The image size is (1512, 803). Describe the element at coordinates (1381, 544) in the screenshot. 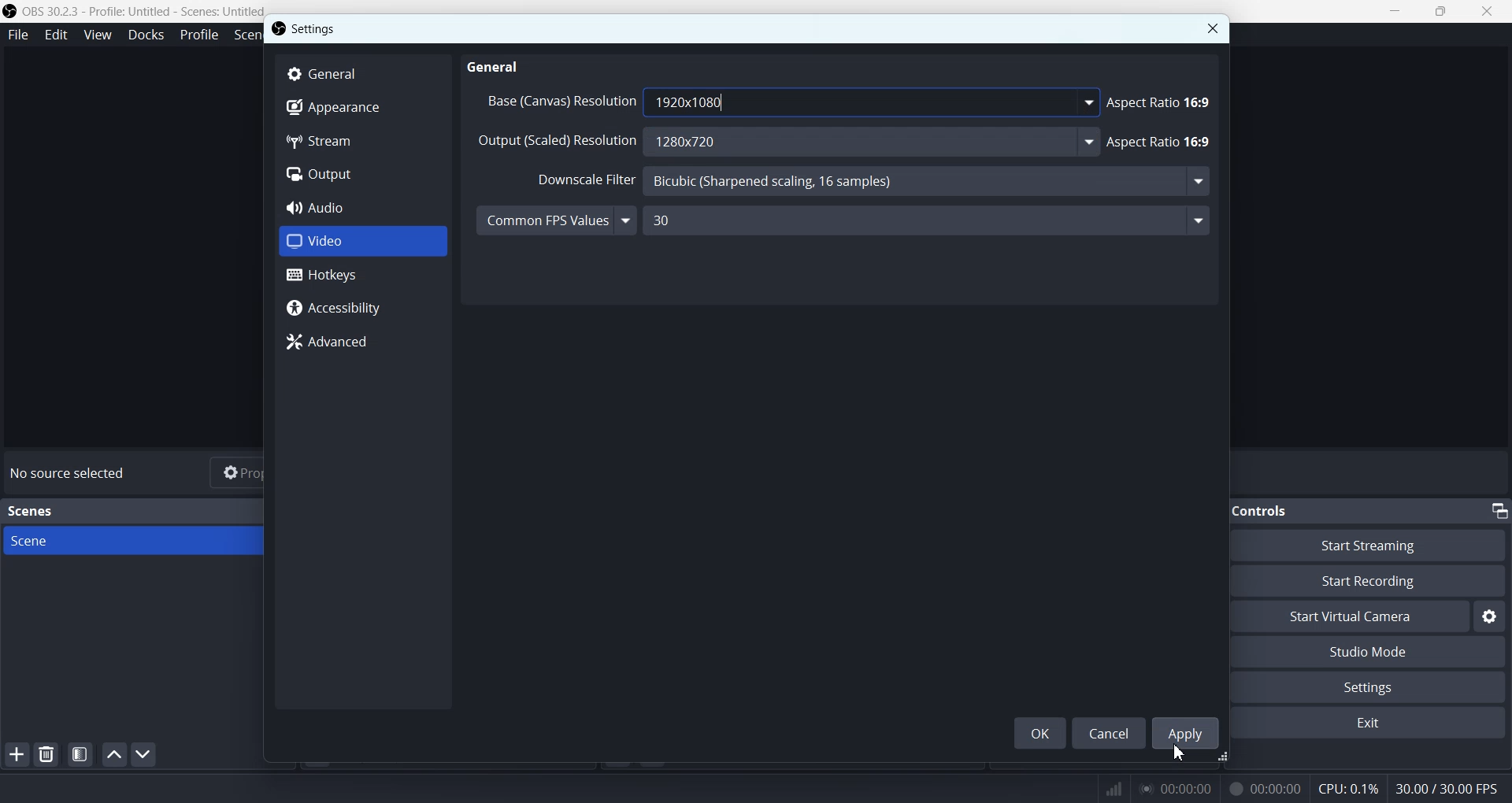

I see `Start Streaming` at that location.